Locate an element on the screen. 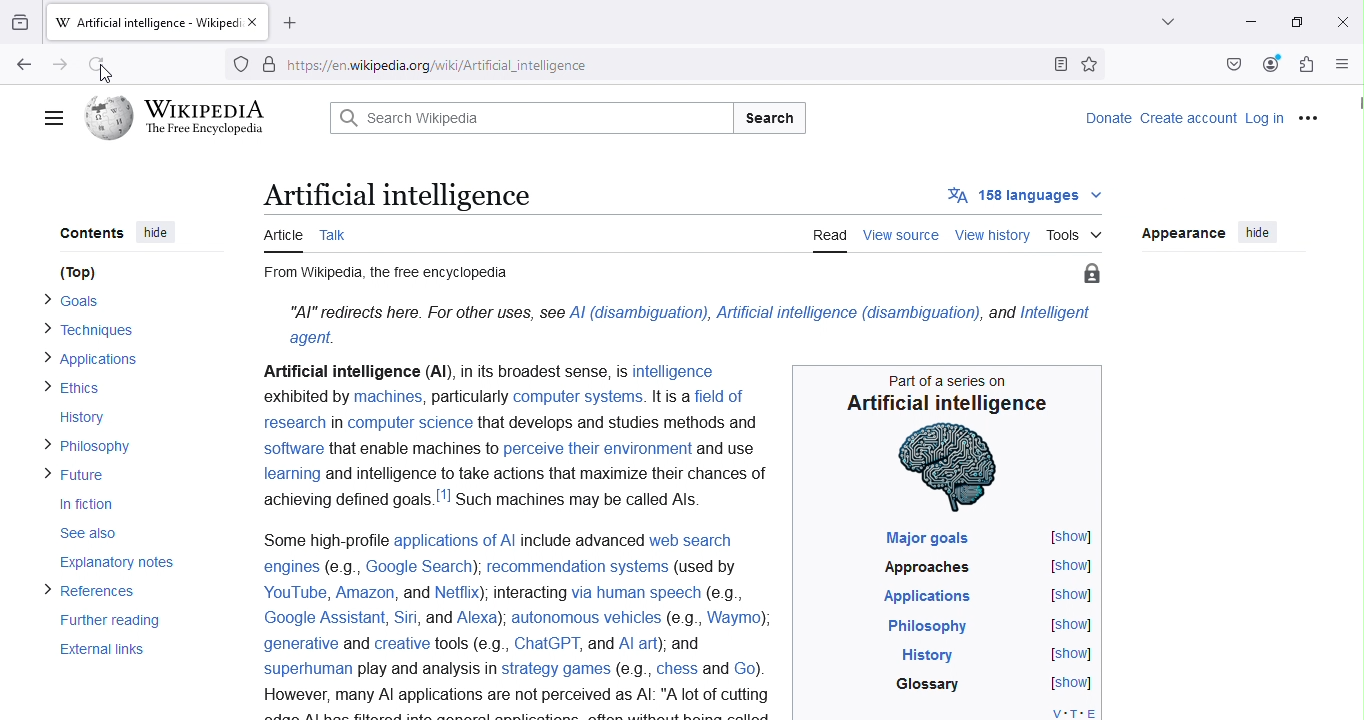 The width and height of the screenshot is (1364, 720). intelligence is located at coordinates (673, 372).